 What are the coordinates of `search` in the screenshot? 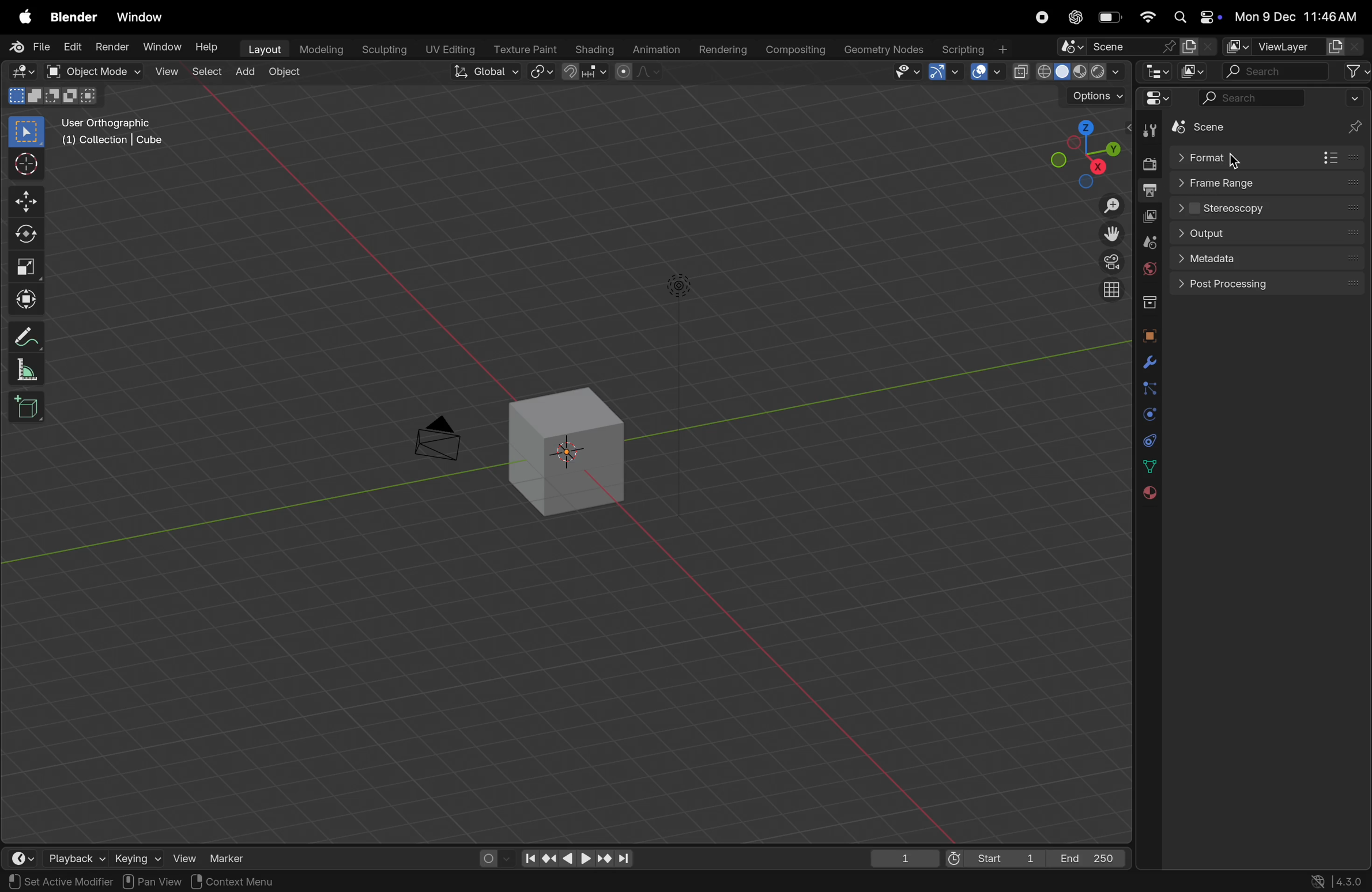 It's located at (1250, 101).